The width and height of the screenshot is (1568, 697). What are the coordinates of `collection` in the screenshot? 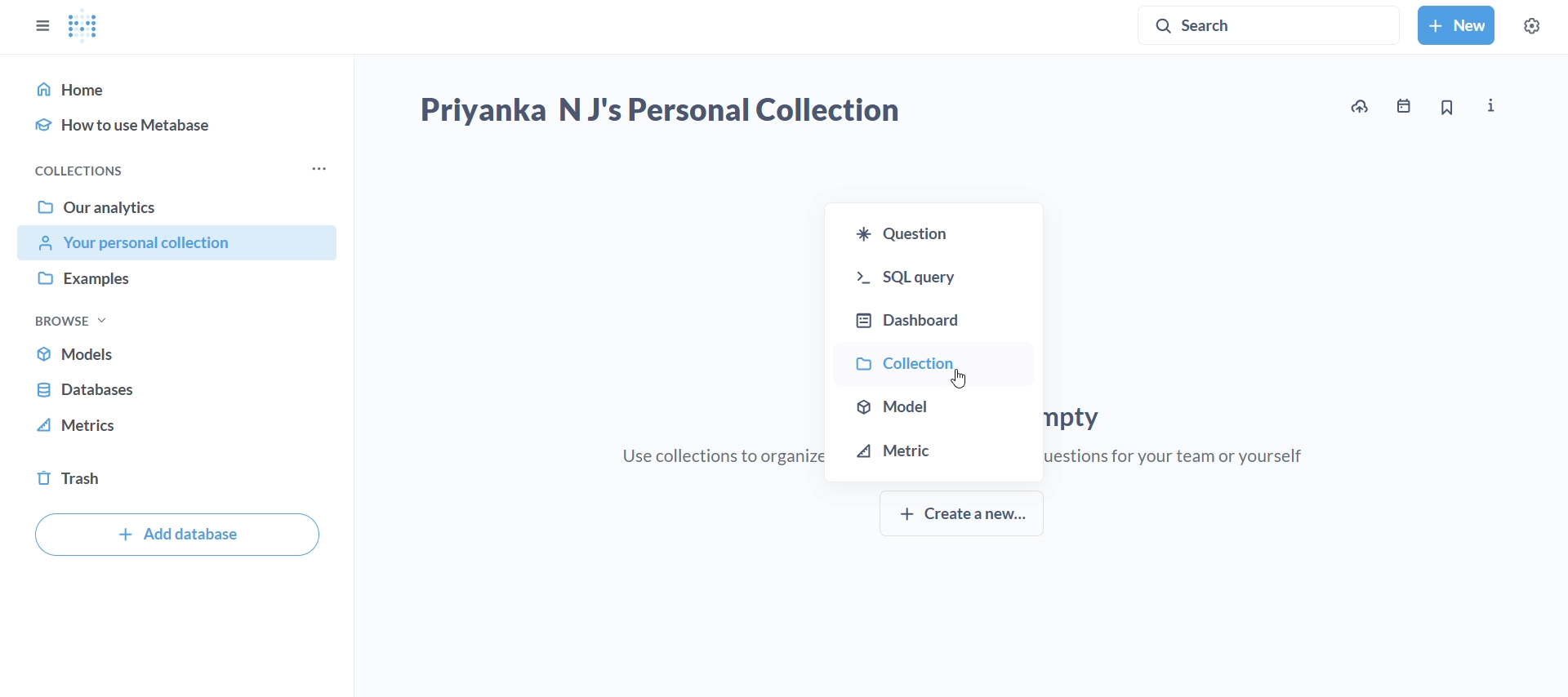 It's located at (933, 359).